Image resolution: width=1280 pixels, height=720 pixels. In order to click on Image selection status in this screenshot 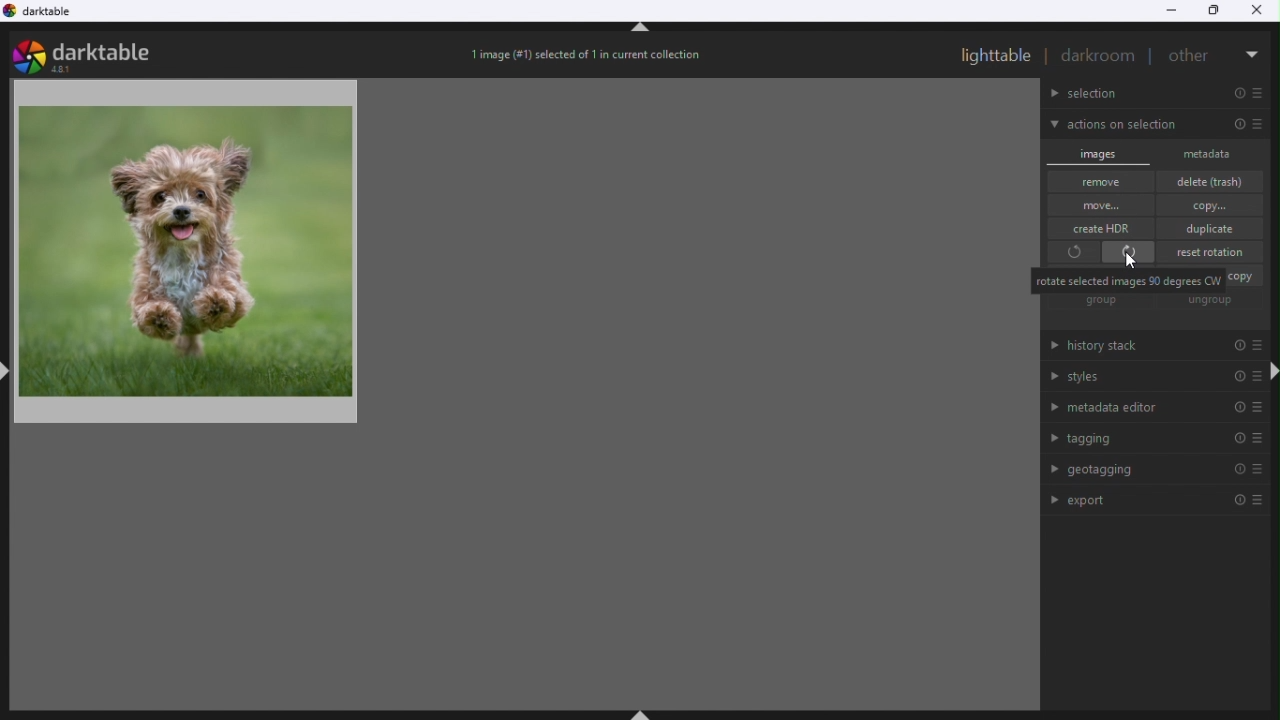, I will do `click(589, 59)`.